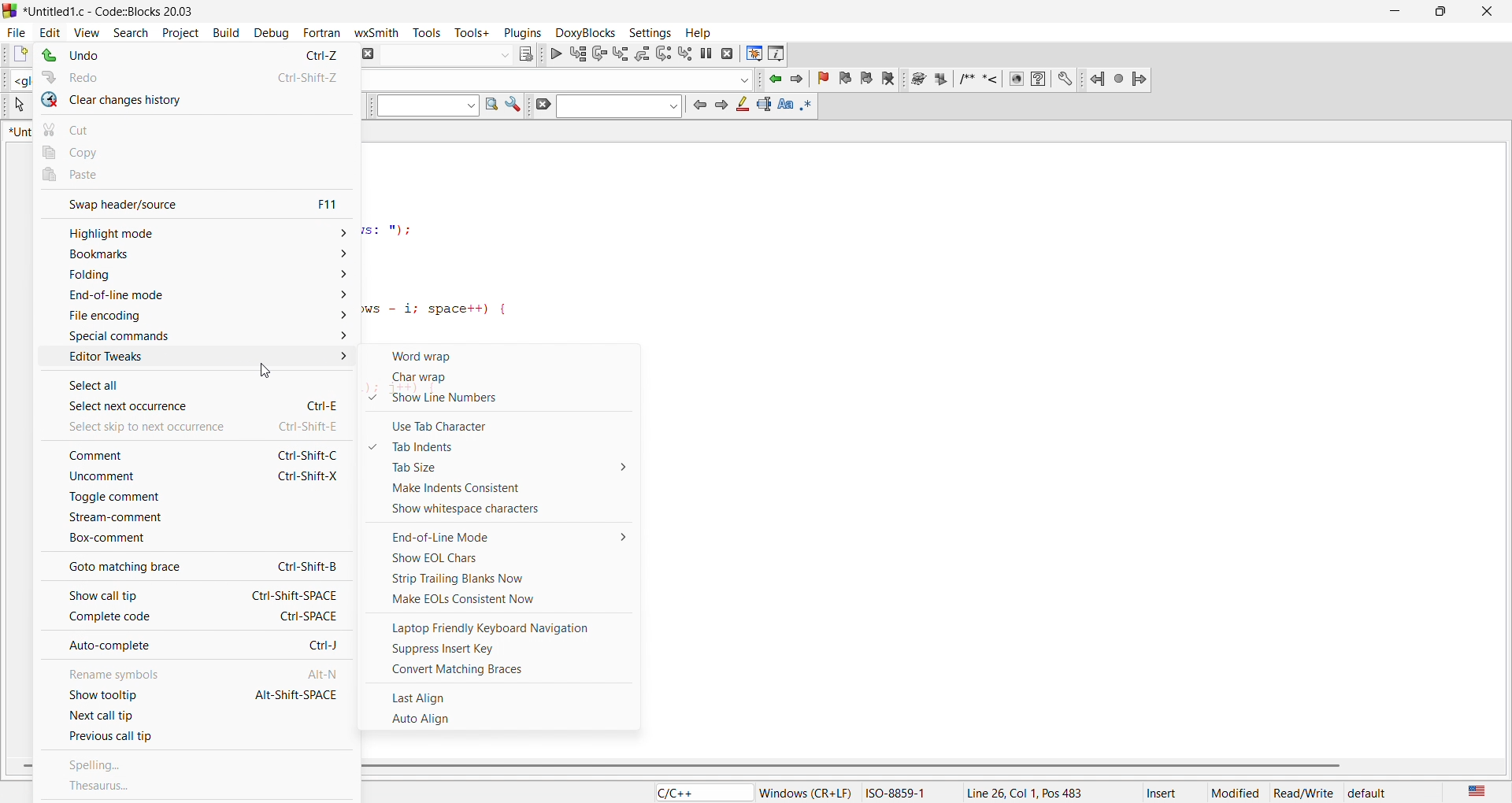 The height and width of the screenshot is (803, 1512). Describe the element at coordinates (503, 600) in the screenshot. I see `make eol consistent now` at that location.